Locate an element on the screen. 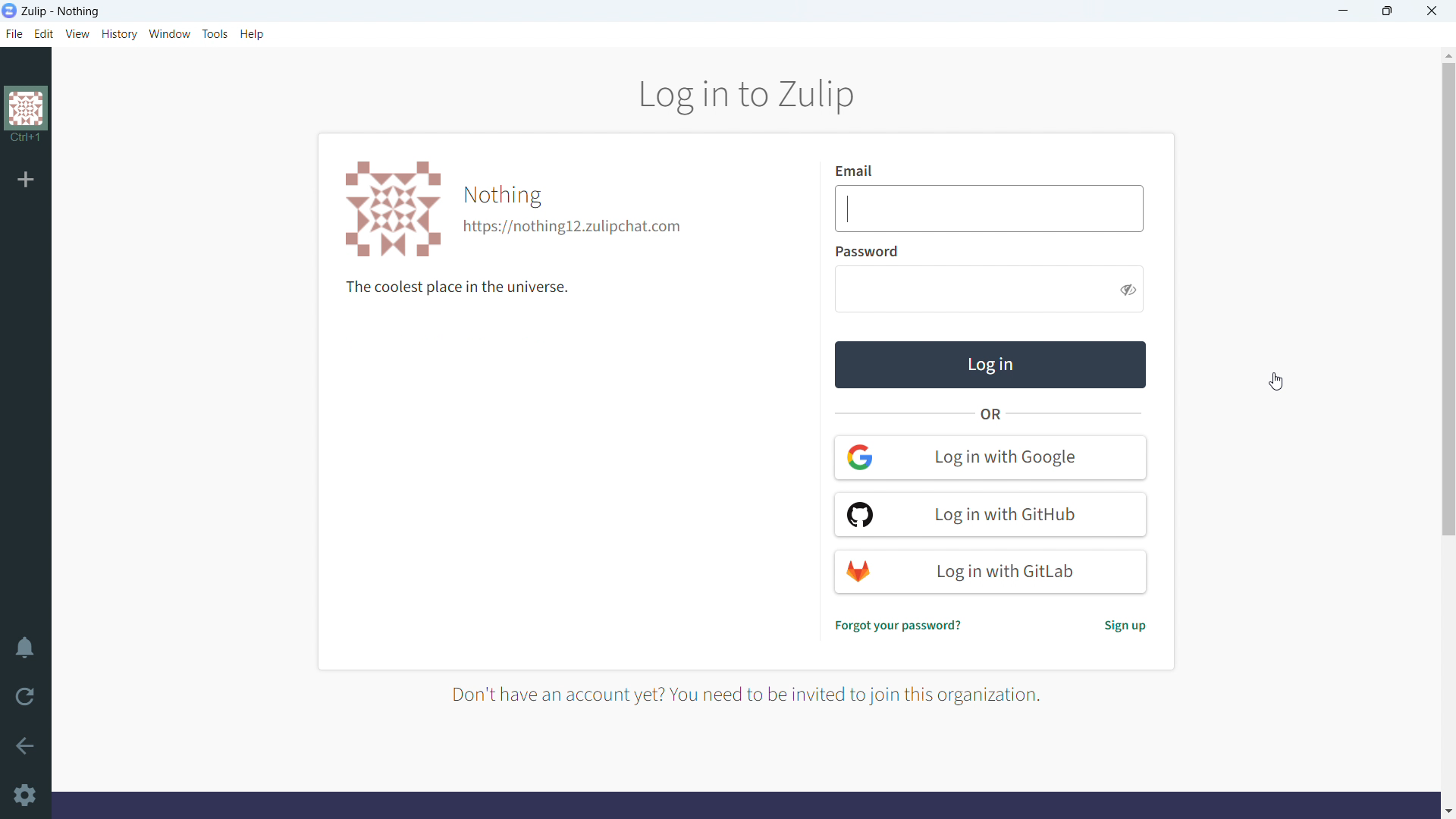  organizaTION NAME is located at coordinates (502, 193).